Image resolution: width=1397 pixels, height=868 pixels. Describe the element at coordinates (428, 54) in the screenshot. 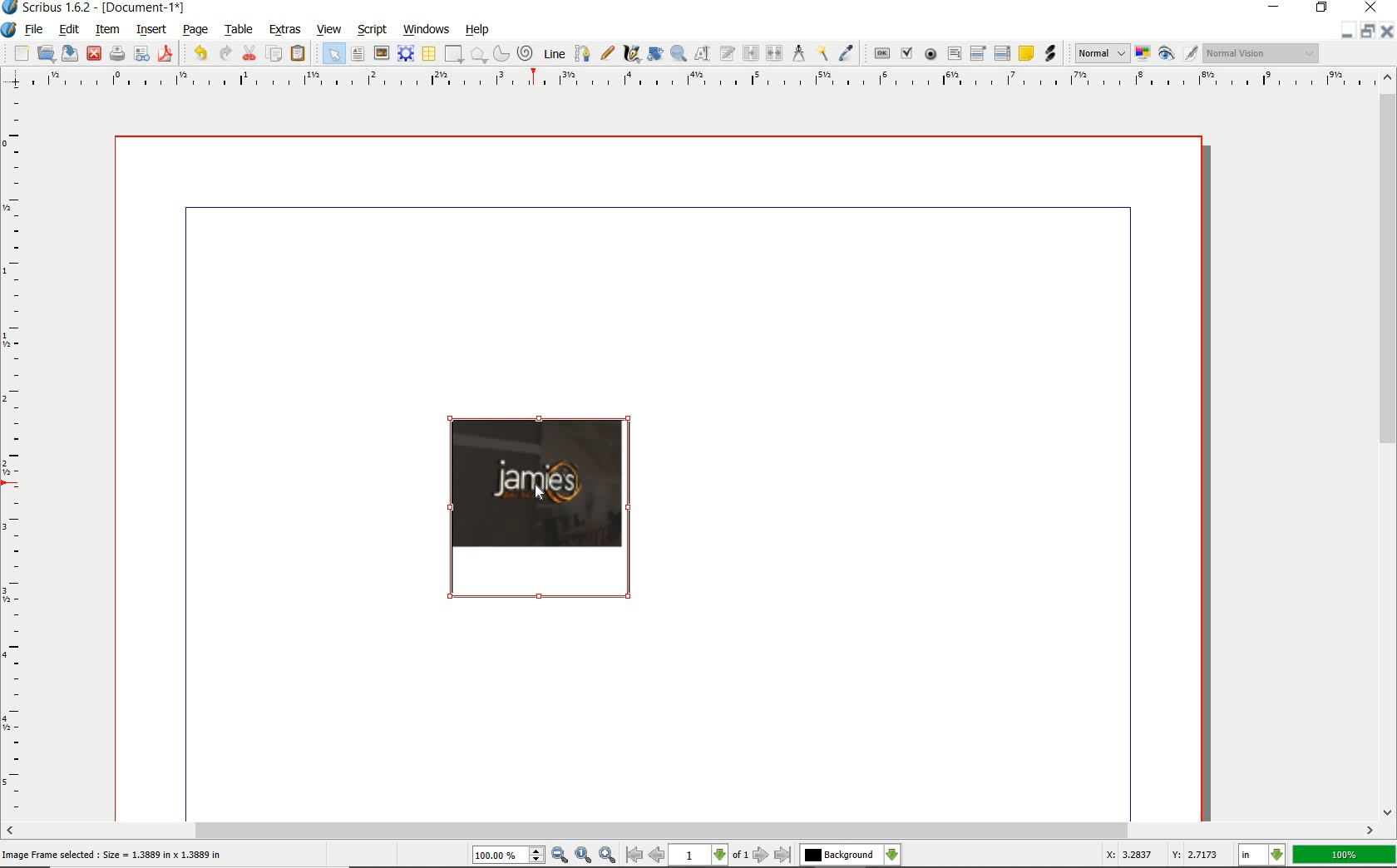

I see `TABLE` at that location.